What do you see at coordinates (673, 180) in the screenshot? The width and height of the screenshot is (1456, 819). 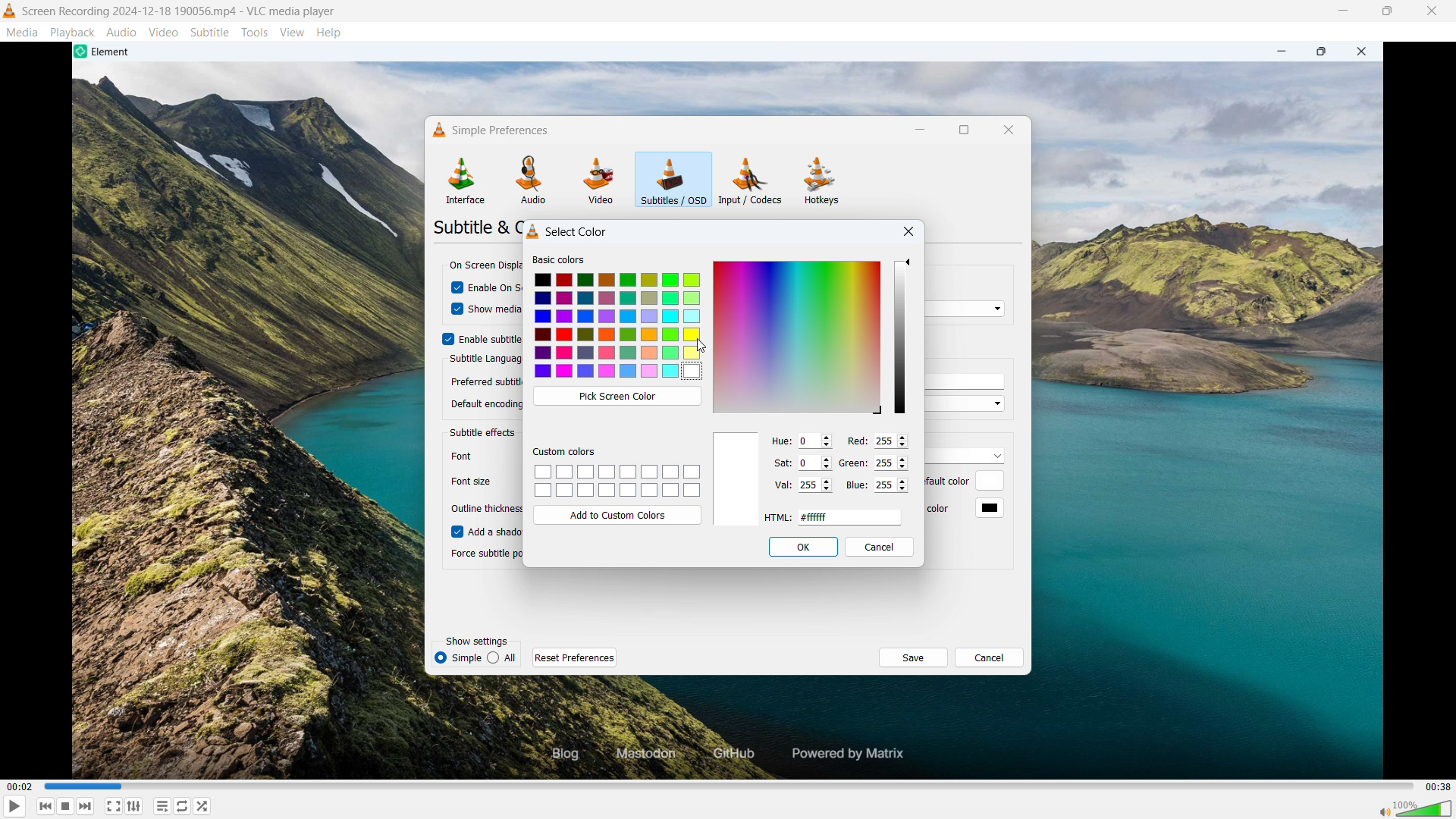 I see `Subtitles or OSD ` at bounding box center [673, 180].